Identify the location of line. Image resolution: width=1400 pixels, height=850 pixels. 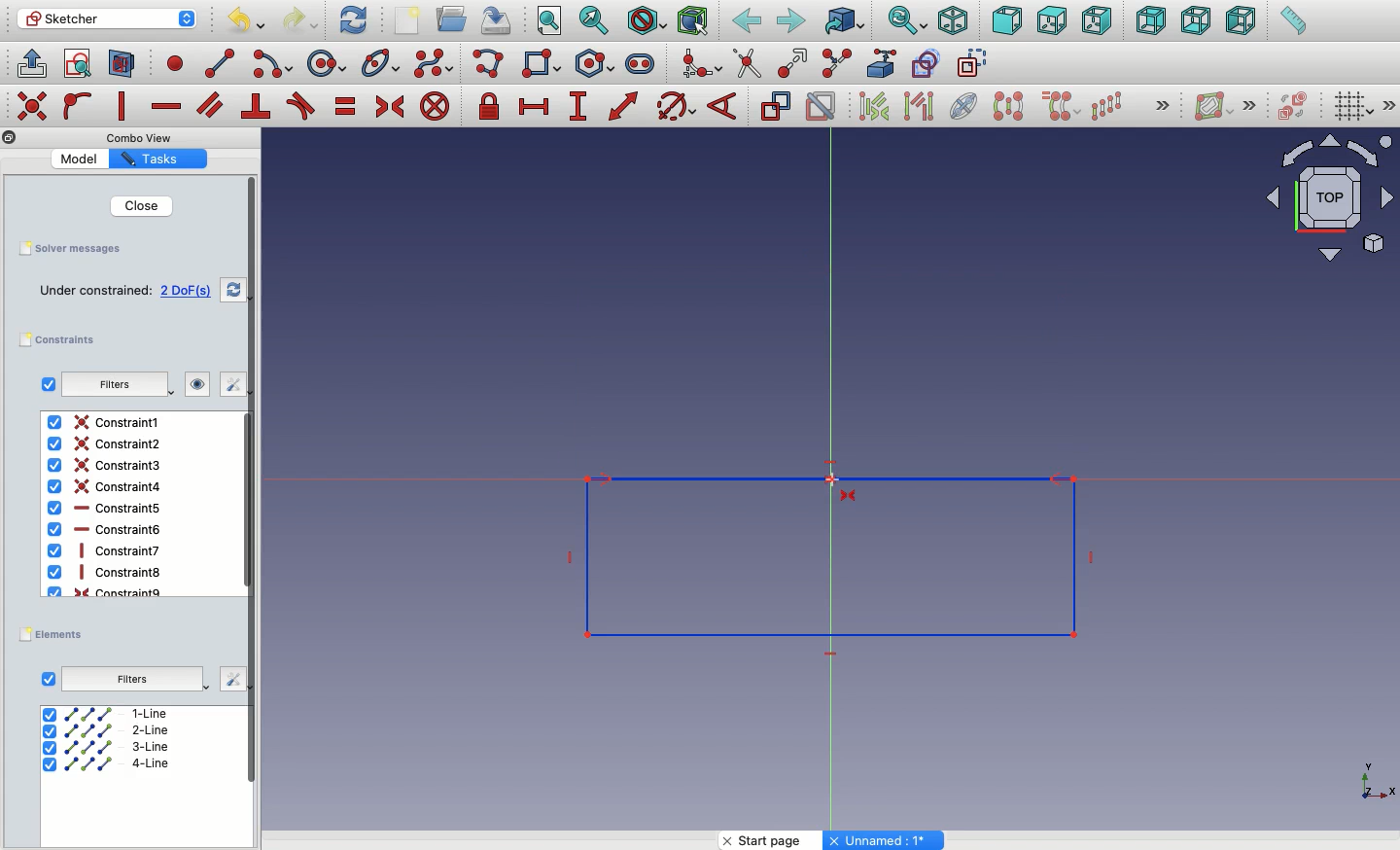
(221, 63).